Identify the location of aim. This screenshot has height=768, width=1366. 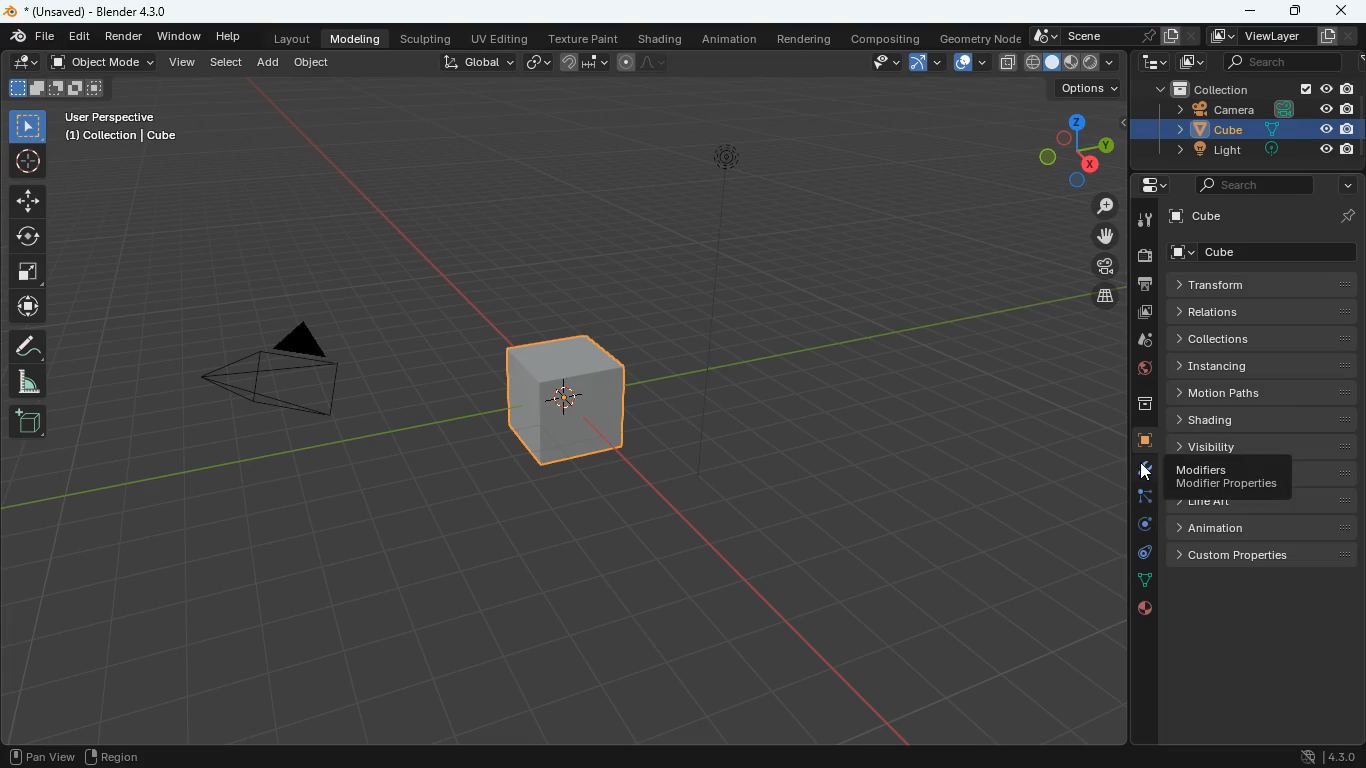
(26, 165).